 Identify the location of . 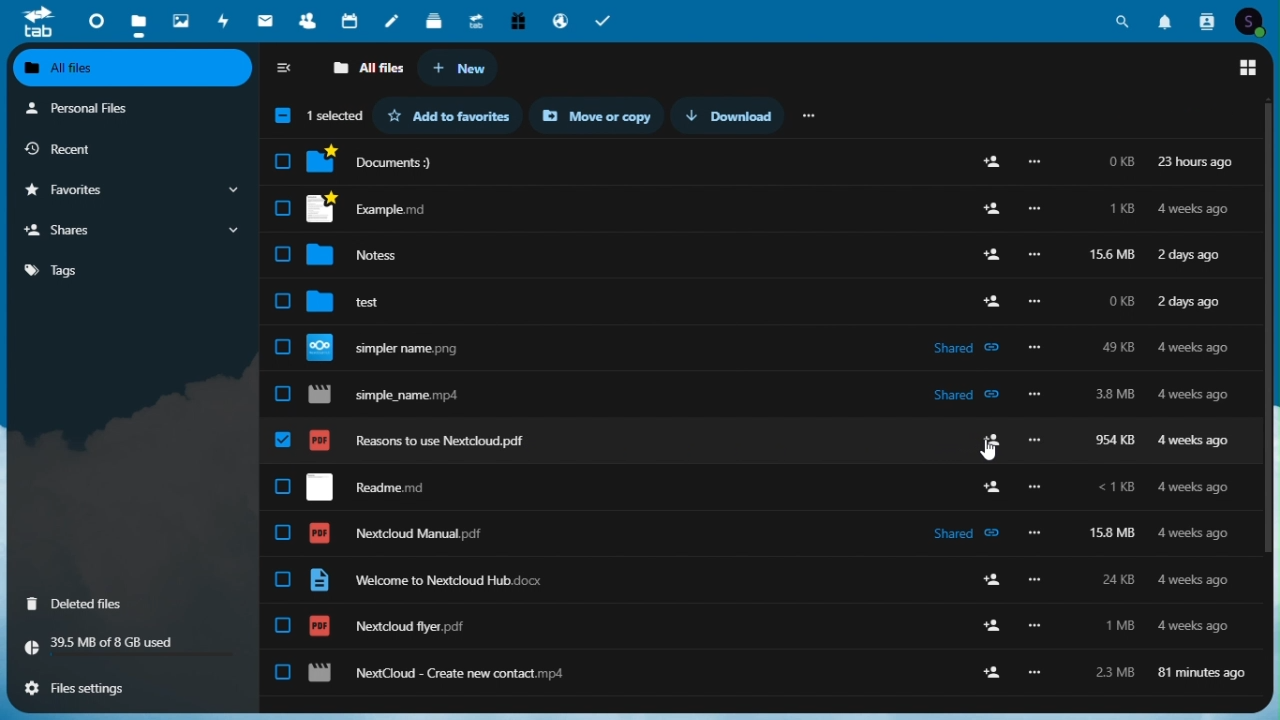
(1035, 349).